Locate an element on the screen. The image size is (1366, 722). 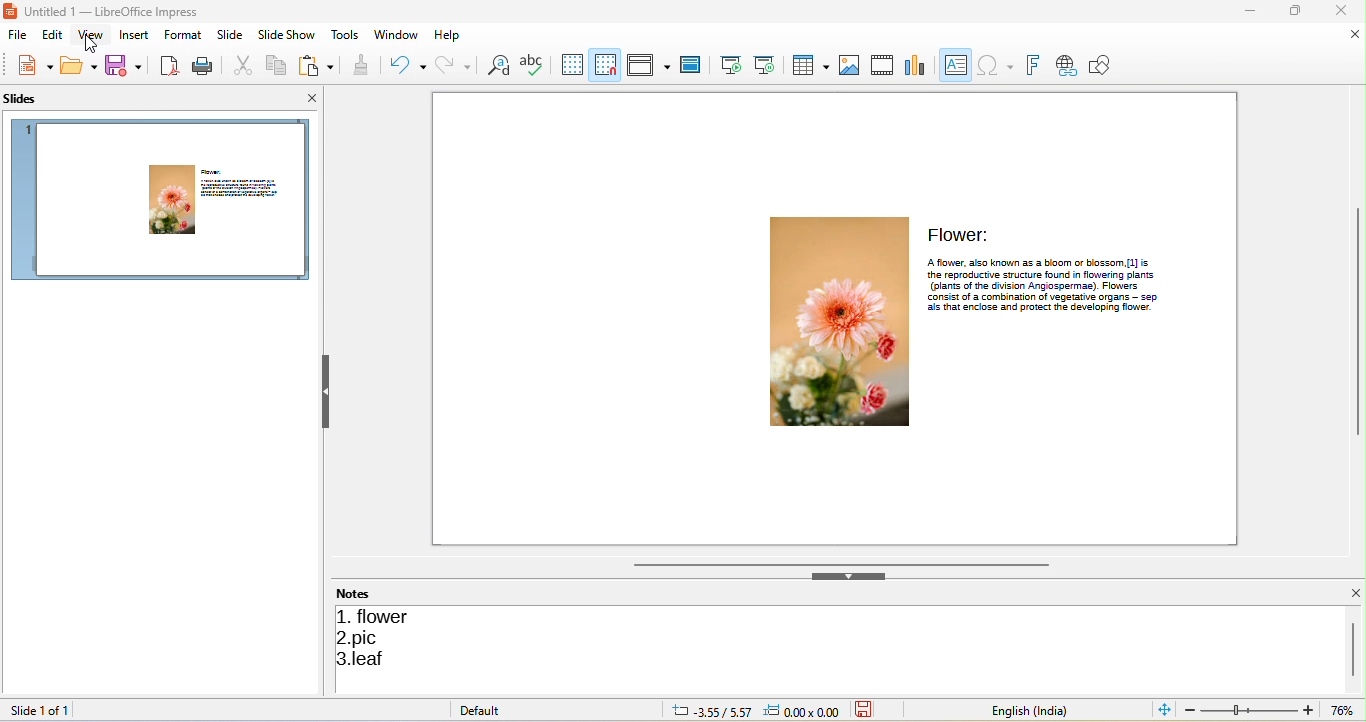
tools is located at coordinates (344, 36).